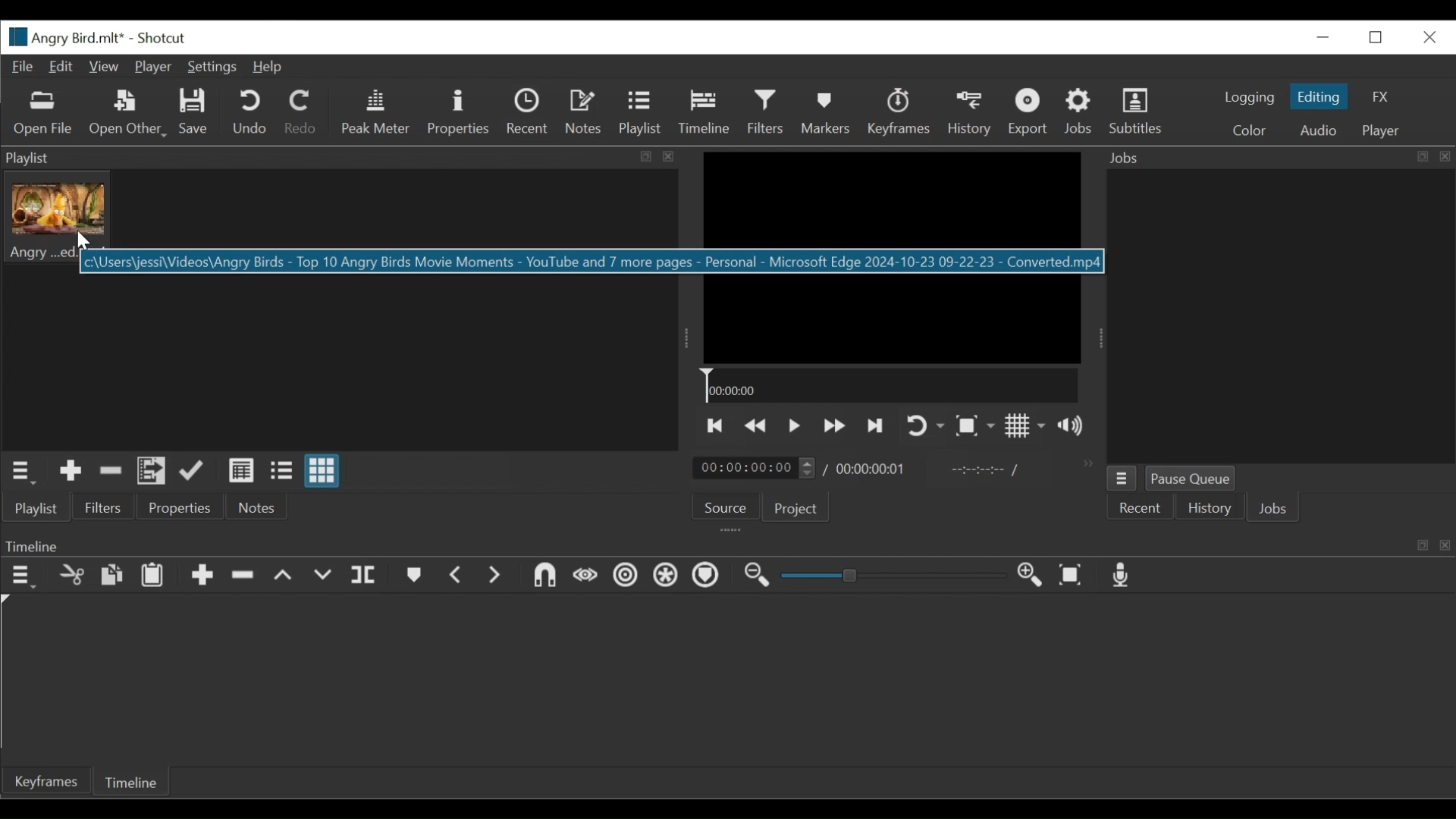 This screenshot has height=819, width=1456. What do you see at coordinates (1029, 113) in the screenshot?
I see `Export` at bounding box center [1029, 113].